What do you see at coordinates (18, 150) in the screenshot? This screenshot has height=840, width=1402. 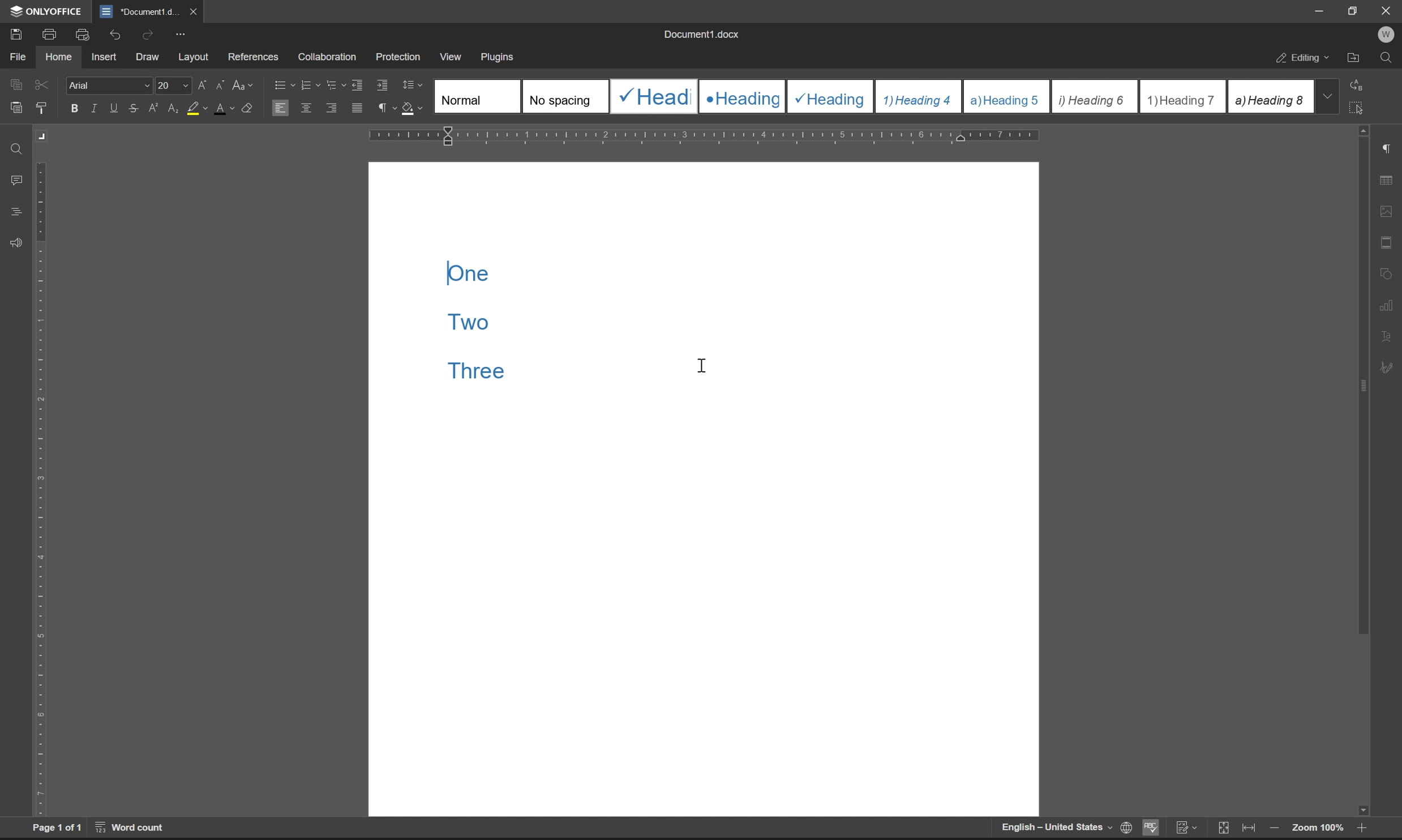 I see `find` at bounding box center [18, 150].